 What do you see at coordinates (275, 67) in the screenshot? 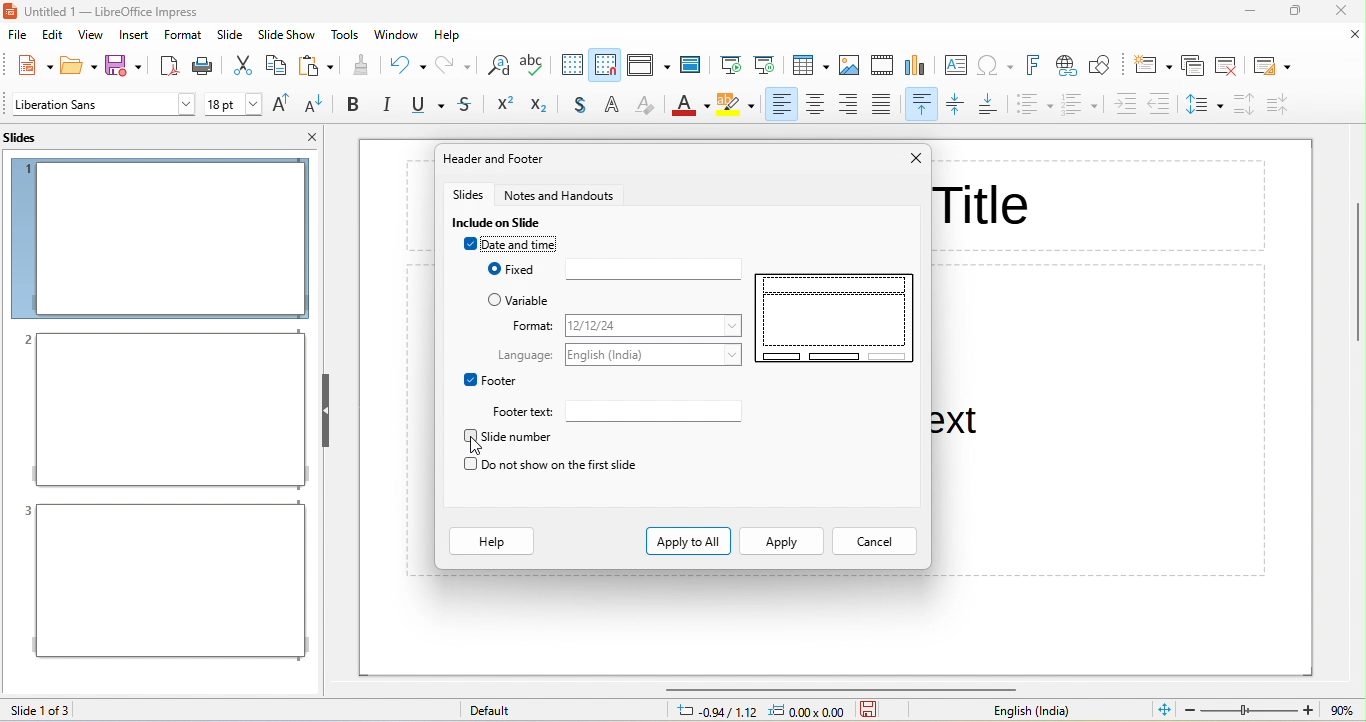
I see `ccopy` at bounding box center [275, 67].